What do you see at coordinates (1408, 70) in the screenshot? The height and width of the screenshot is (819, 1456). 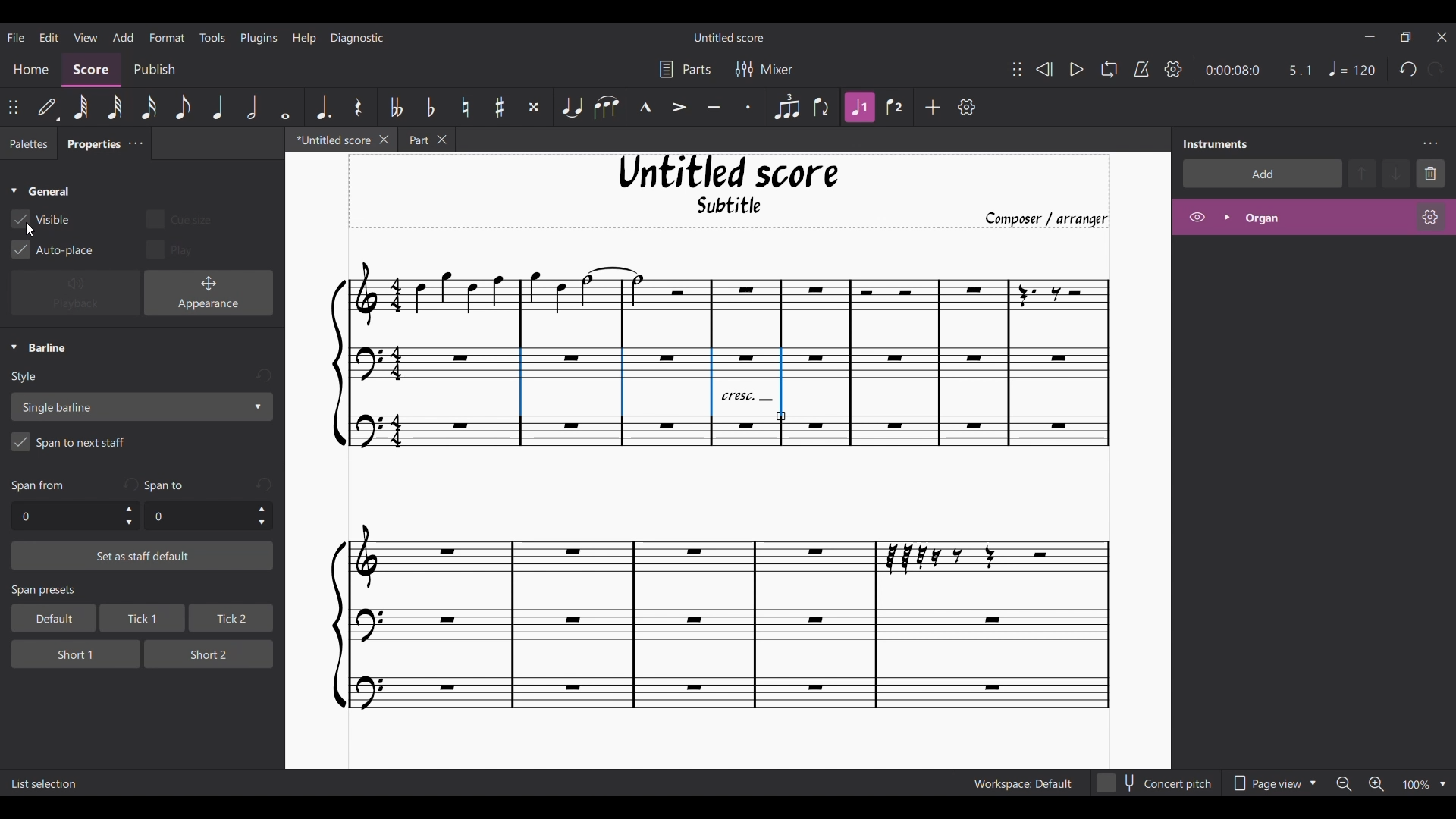 I see `Undo` at bounding box center [1408, 70].